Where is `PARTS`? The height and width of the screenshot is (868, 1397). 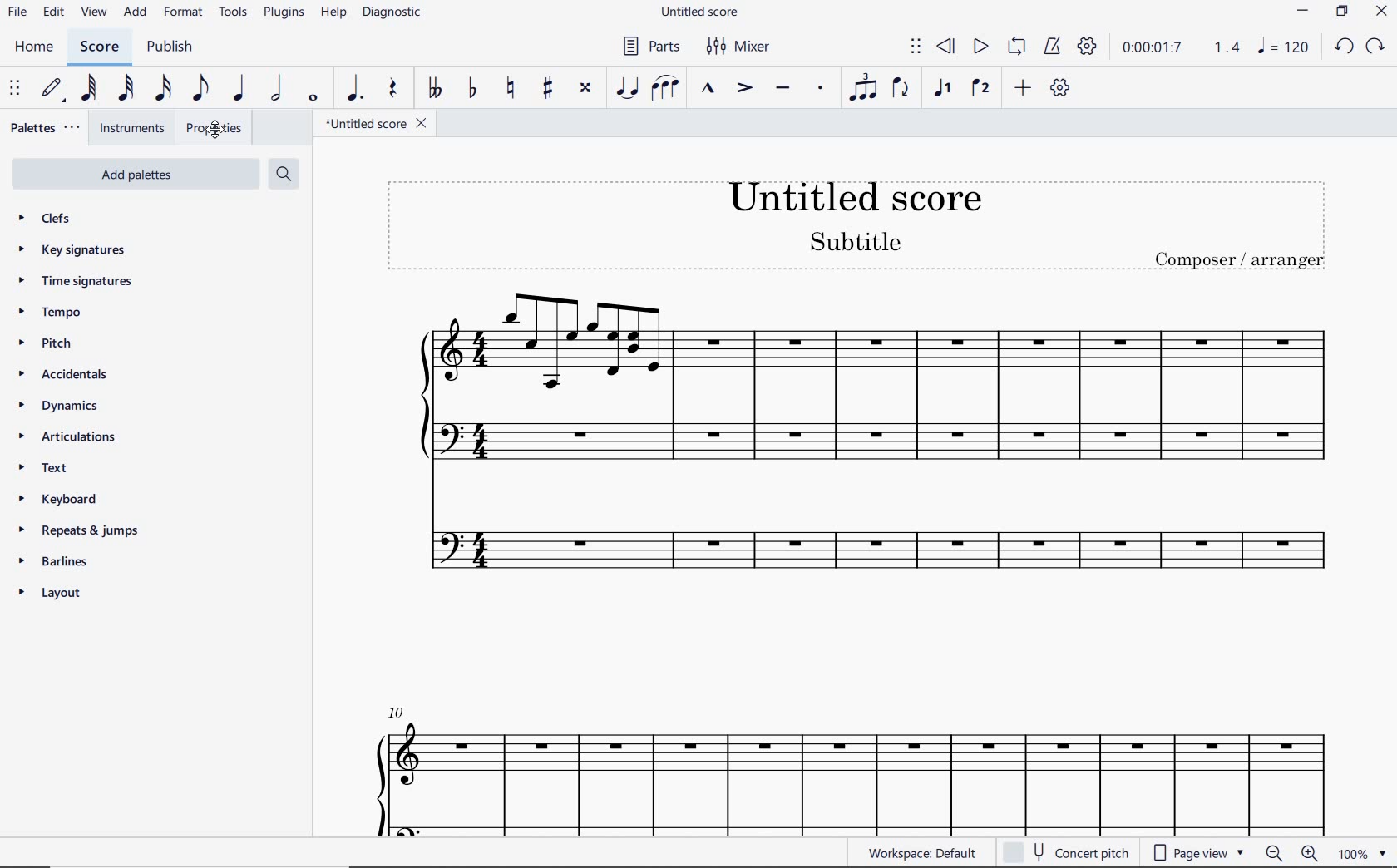 PARTS is located at coordinates (653, 47).